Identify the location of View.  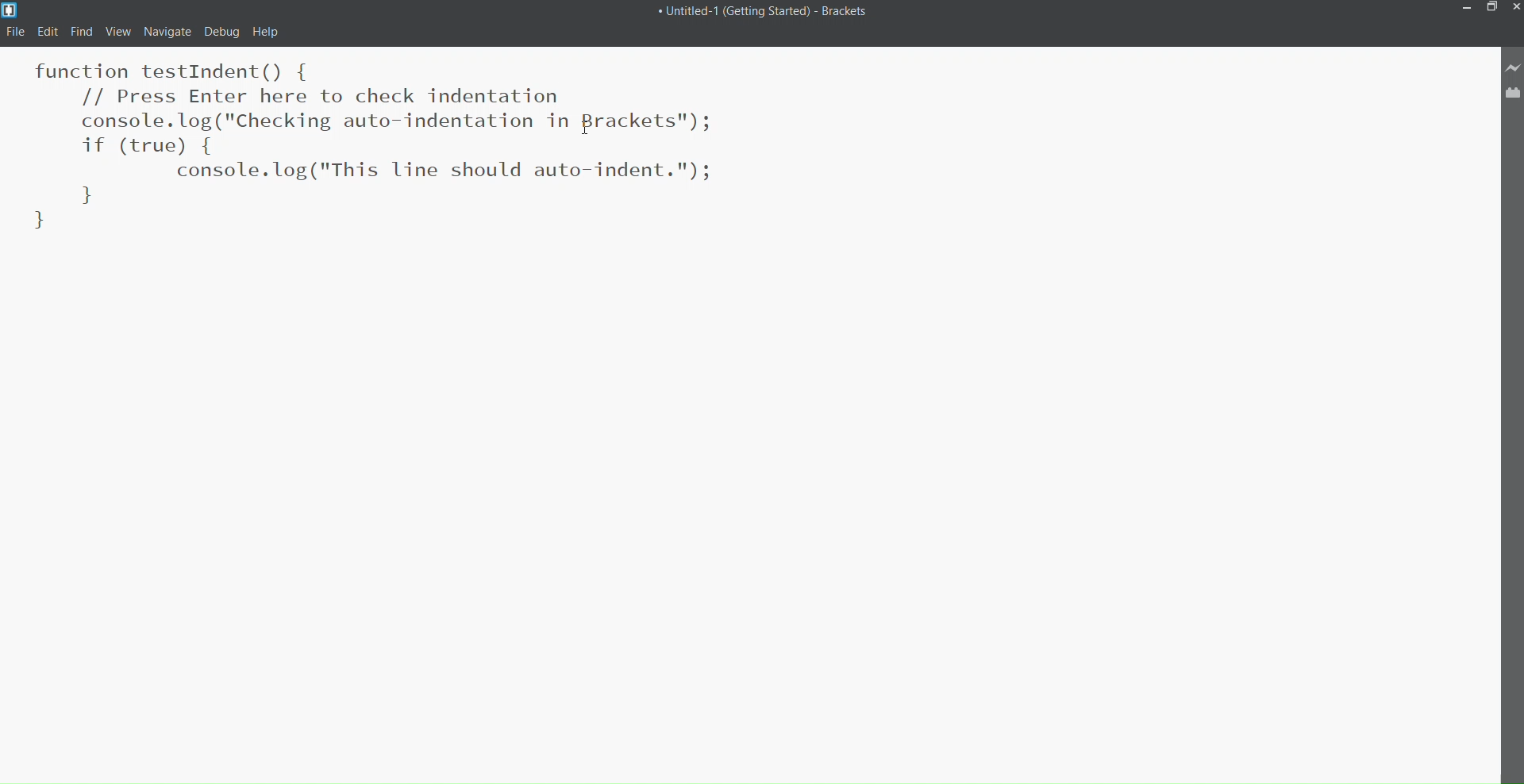
(115, 31).